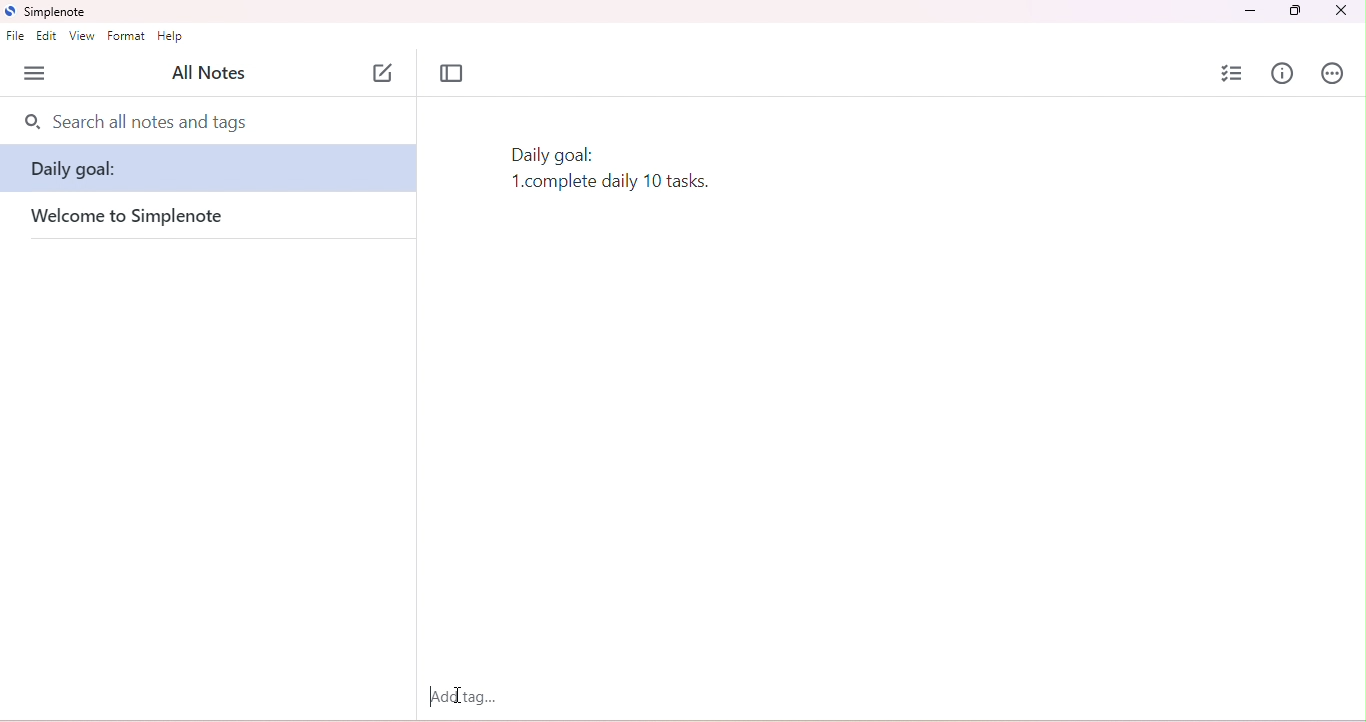 The image size is (1366, 722). I want to click on add tag, so click(463, 697).